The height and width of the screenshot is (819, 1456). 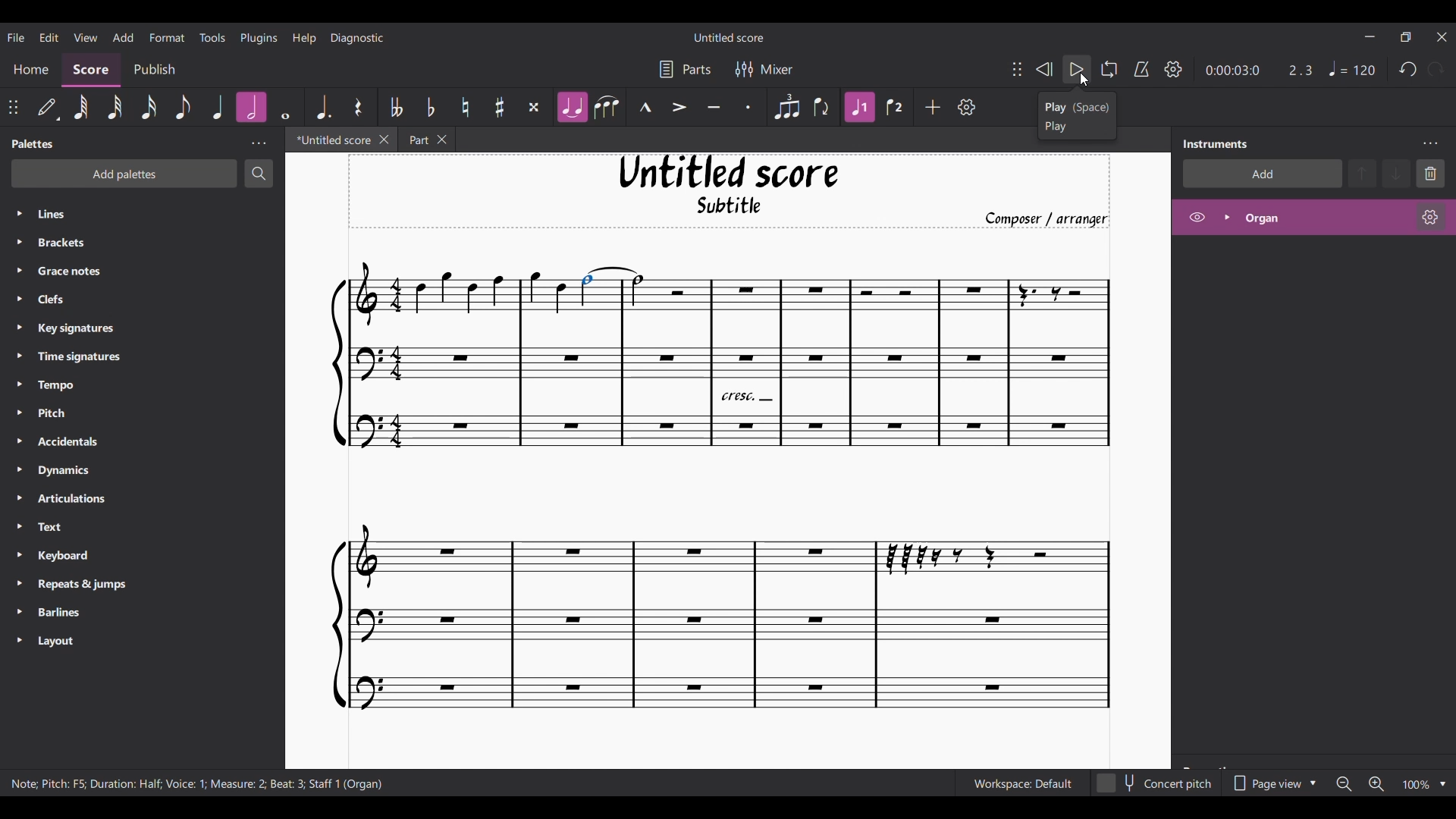 What do you see at coordinates (196, 783) in the screenshot?
I see `Description of current selection changed` at bounding box center [196, 783].